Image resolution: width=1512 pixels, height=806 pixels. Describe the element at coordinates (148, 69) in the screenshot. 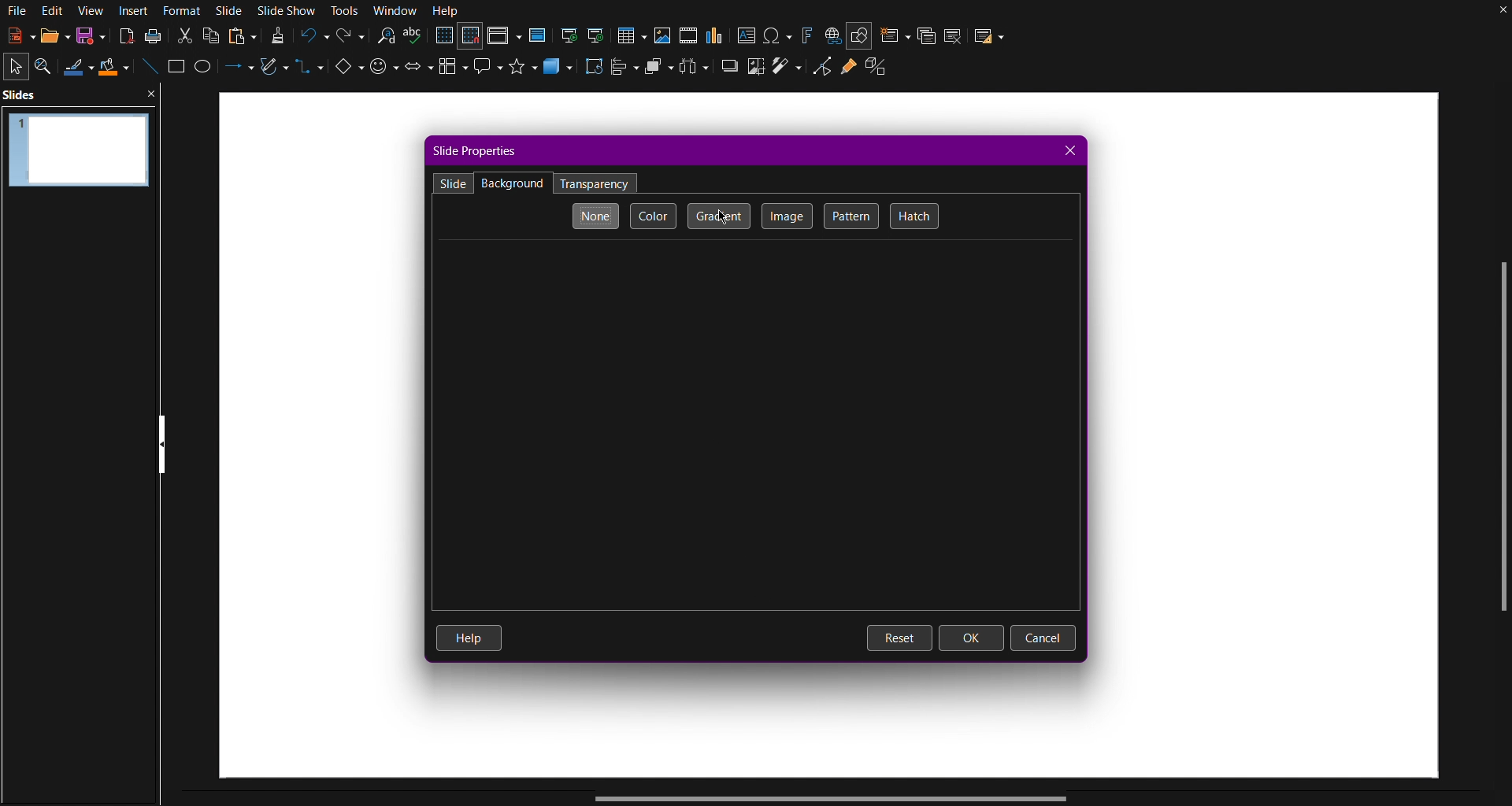

I see `Line` at that location.